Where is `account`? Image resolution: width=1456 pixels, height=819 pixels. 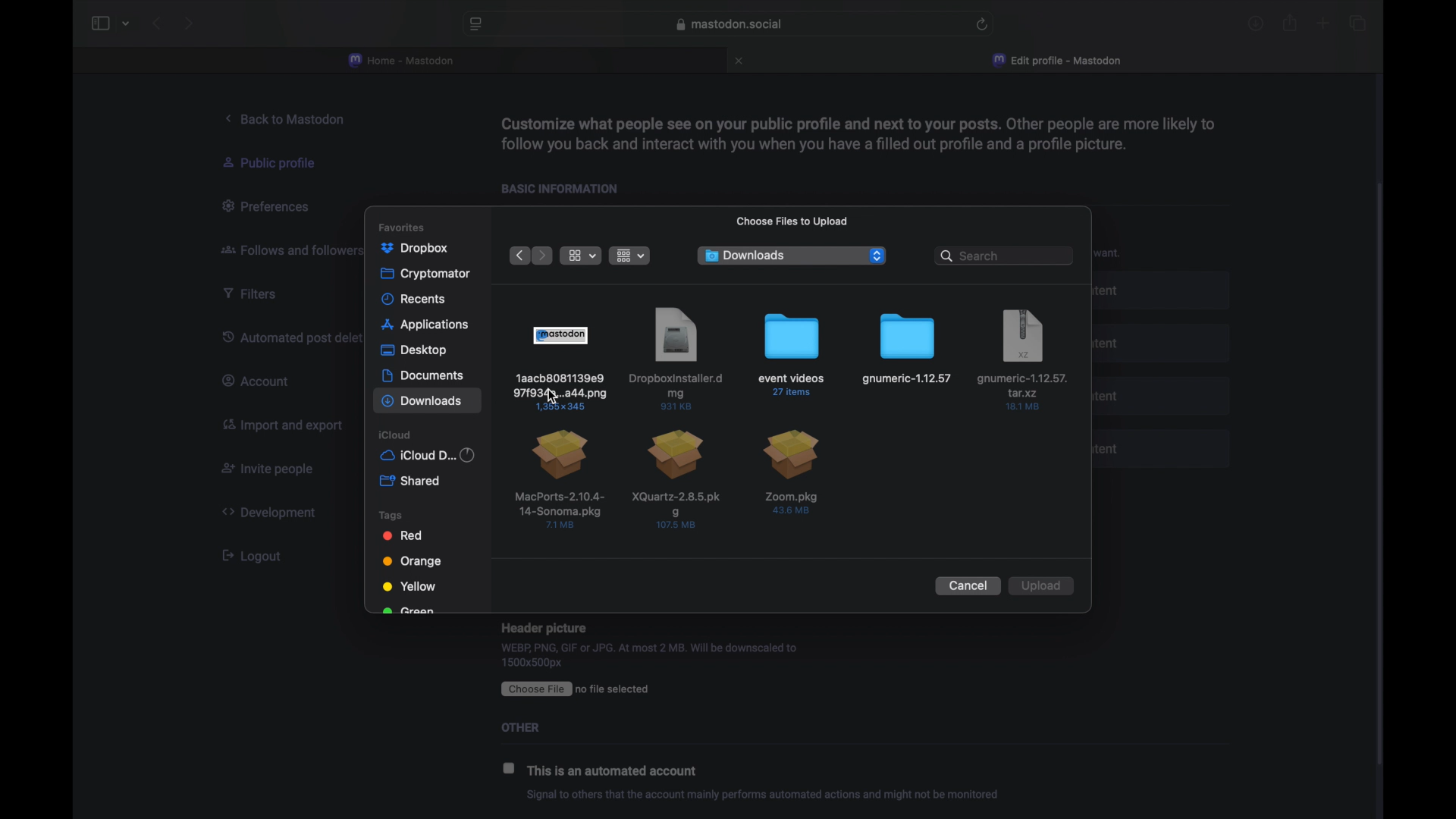 account is located at coordinates (260, 381).